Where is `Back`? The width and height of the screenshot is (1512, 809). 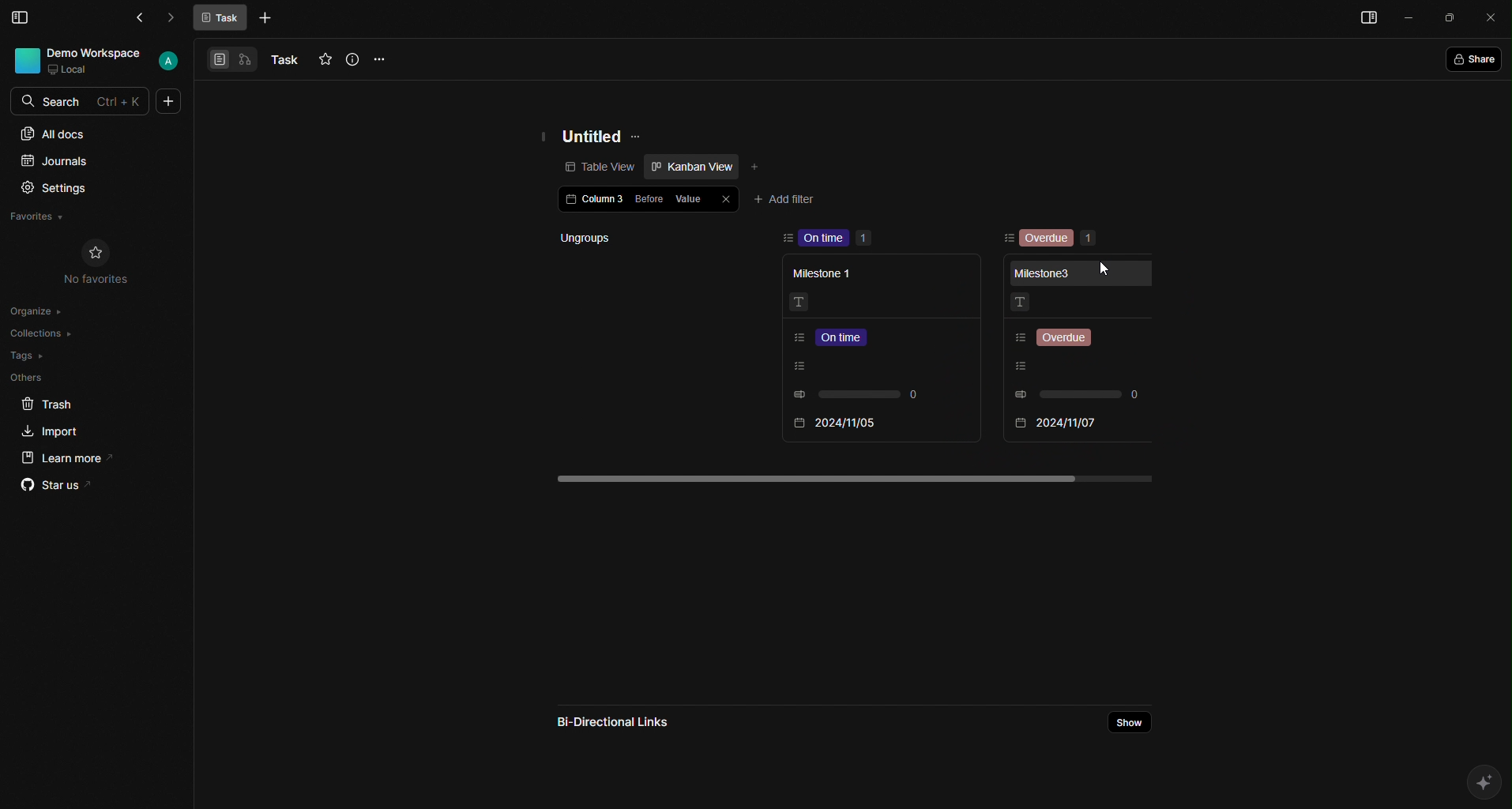 Back is located at coordinates (145, 17).